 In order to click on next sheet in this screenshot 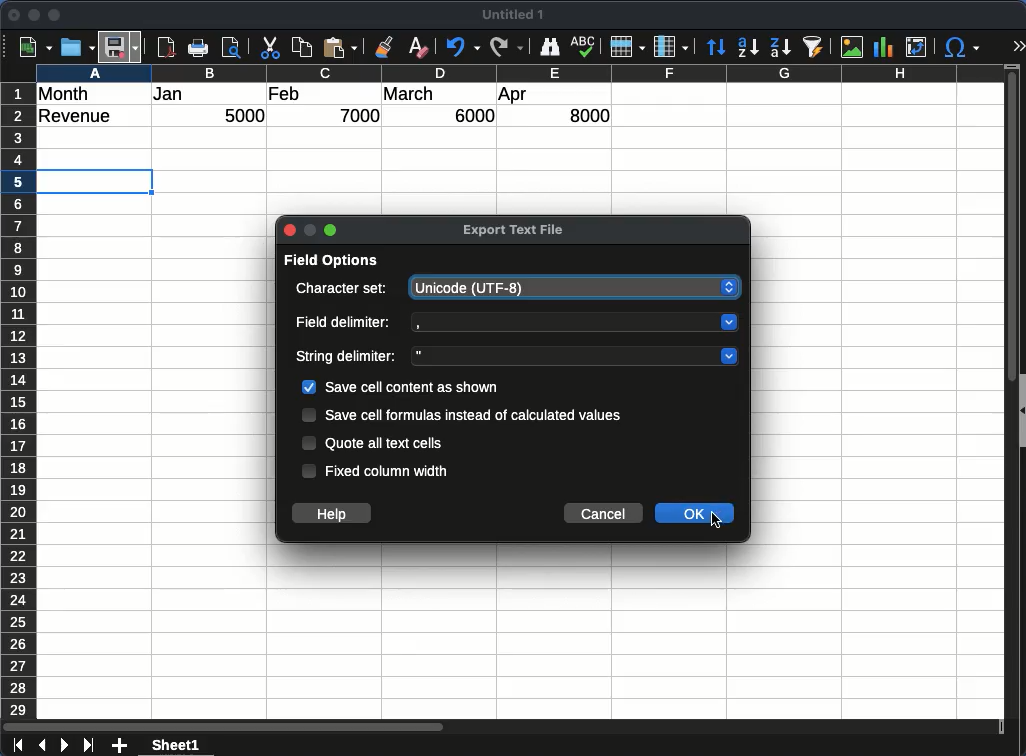, I will do `click(63, 746)`.